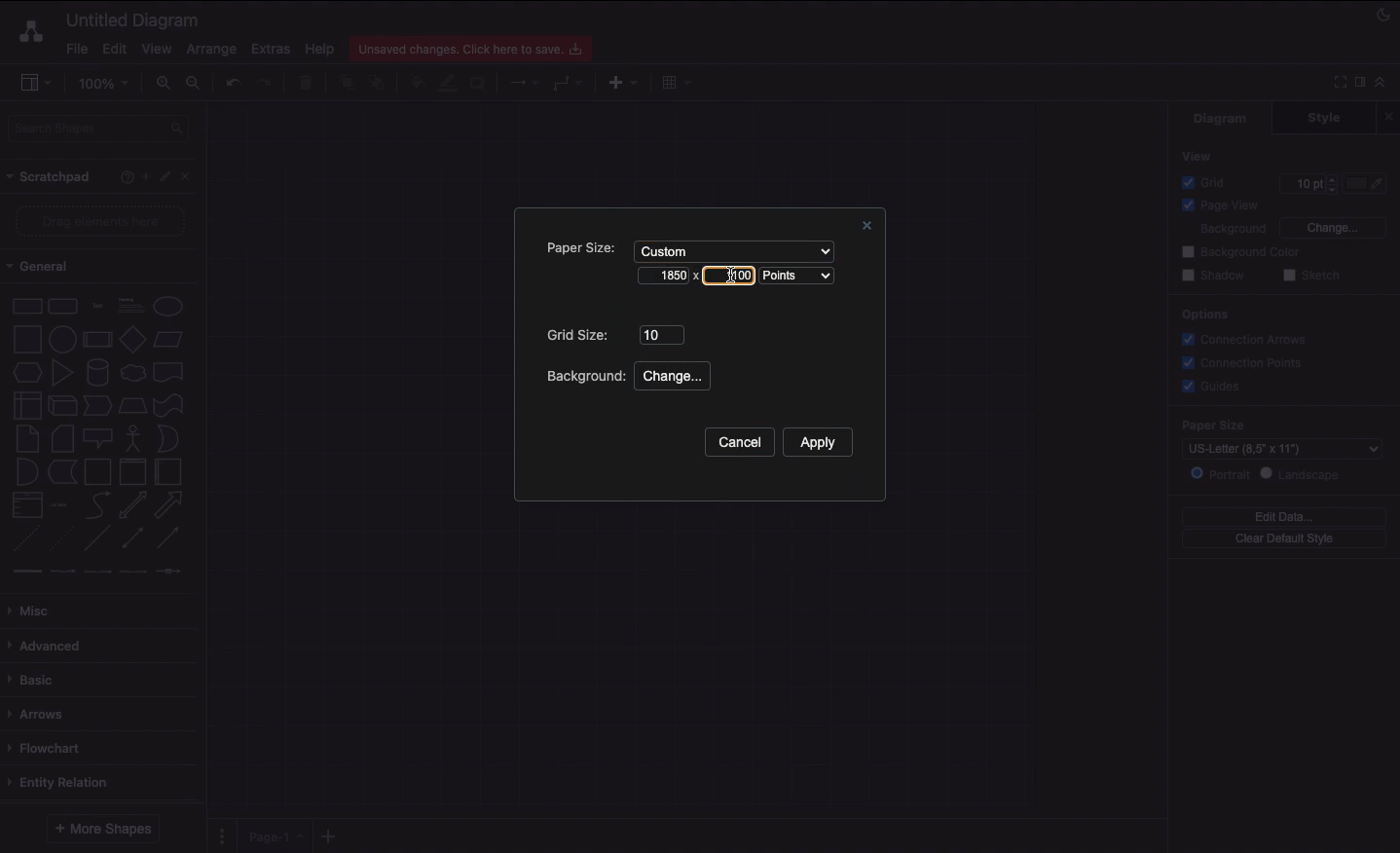 The image size is (1400, 853). Describe the element at coordinates (473, 46) in the screenshot. I see `Unsaved changes` at that location.